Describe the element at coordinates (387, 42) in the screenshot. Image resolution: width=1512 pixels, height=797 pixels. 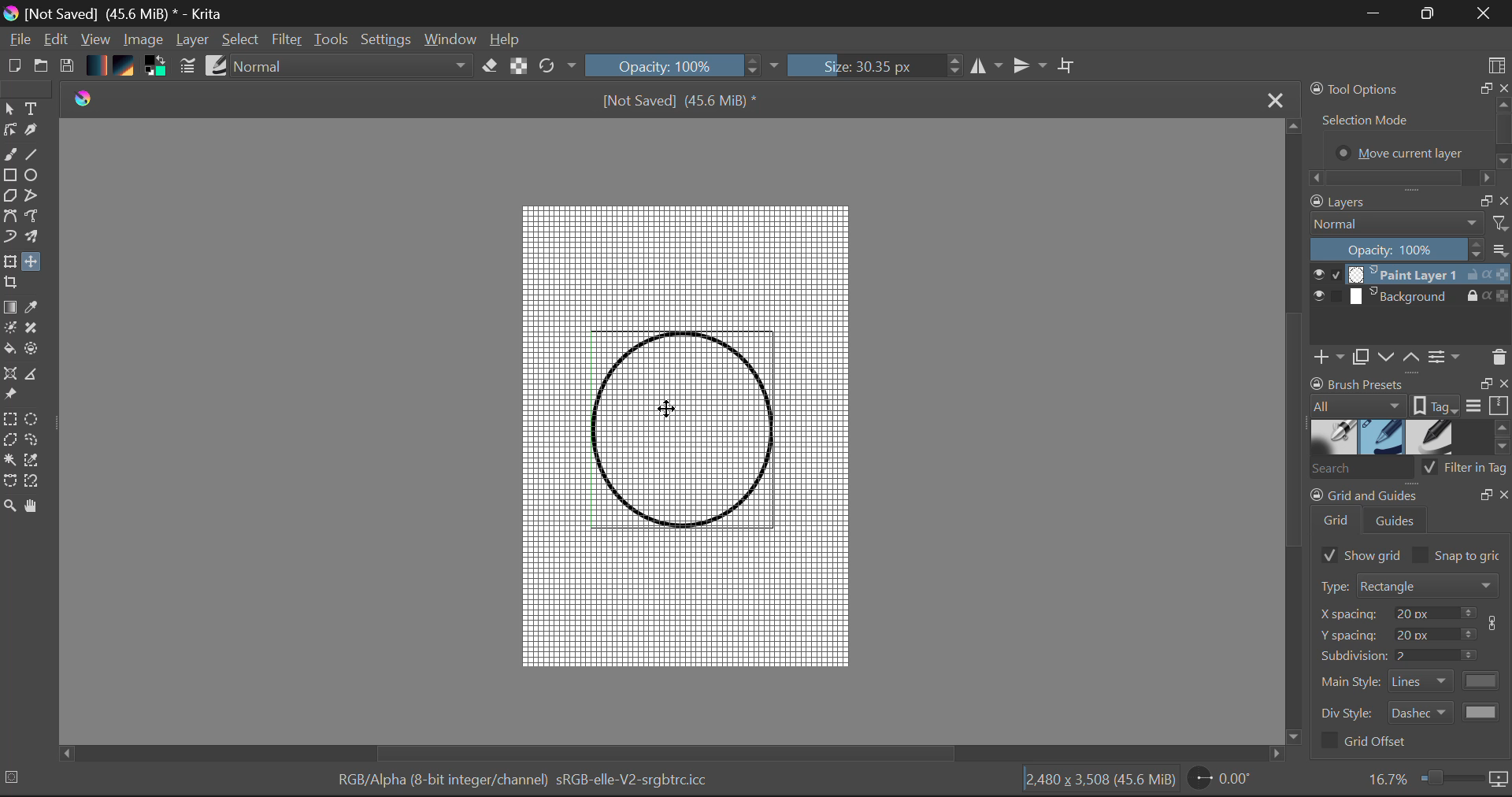
I see `Settings` at that location.